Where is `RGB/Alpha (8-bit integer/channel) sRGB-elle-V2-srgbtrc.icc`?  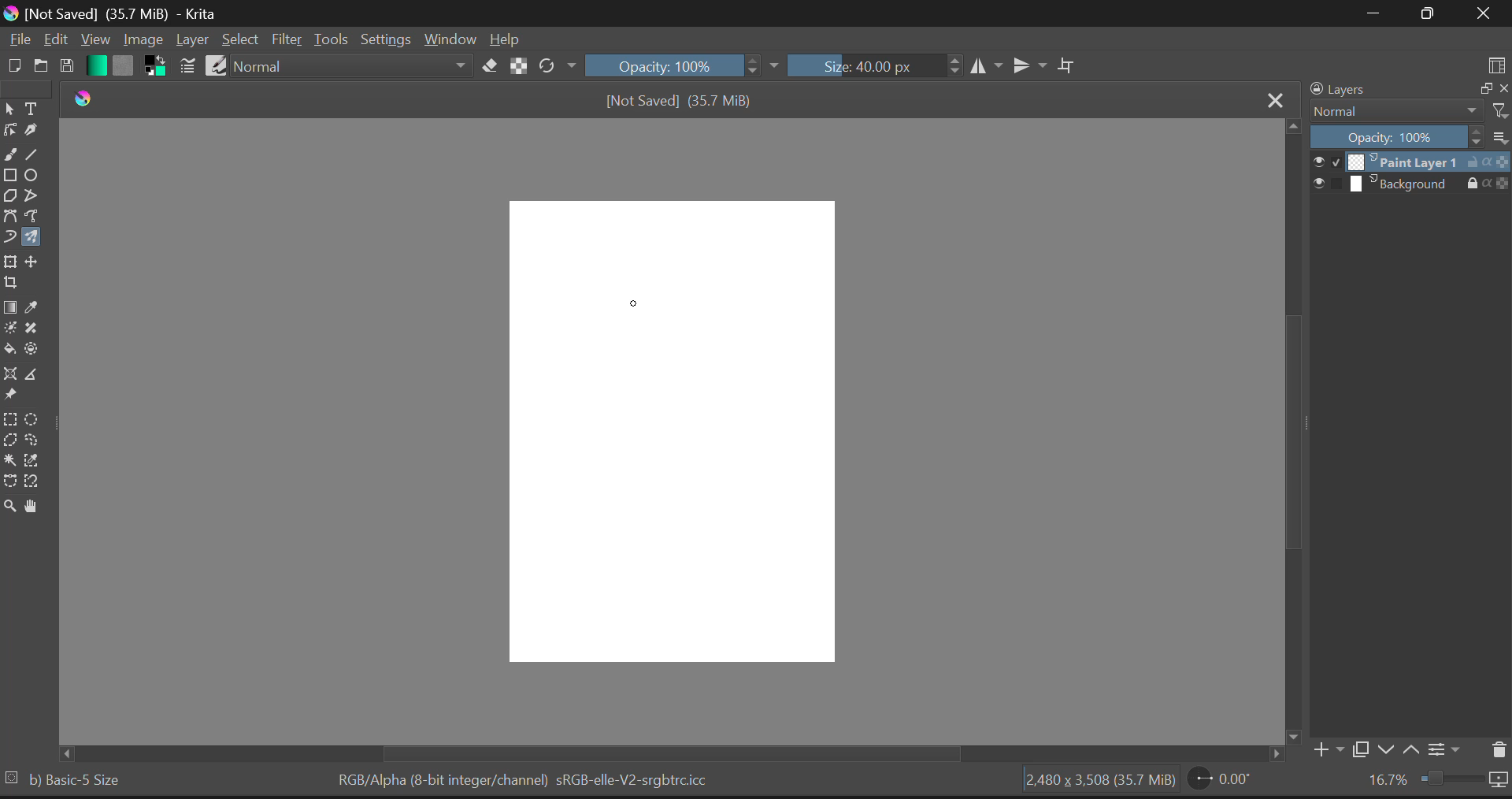 RGB/Alpha (8-bit integer/channel) sRGB-elle-V2-srgbtrc.icc is located at coordinates (523, 780).